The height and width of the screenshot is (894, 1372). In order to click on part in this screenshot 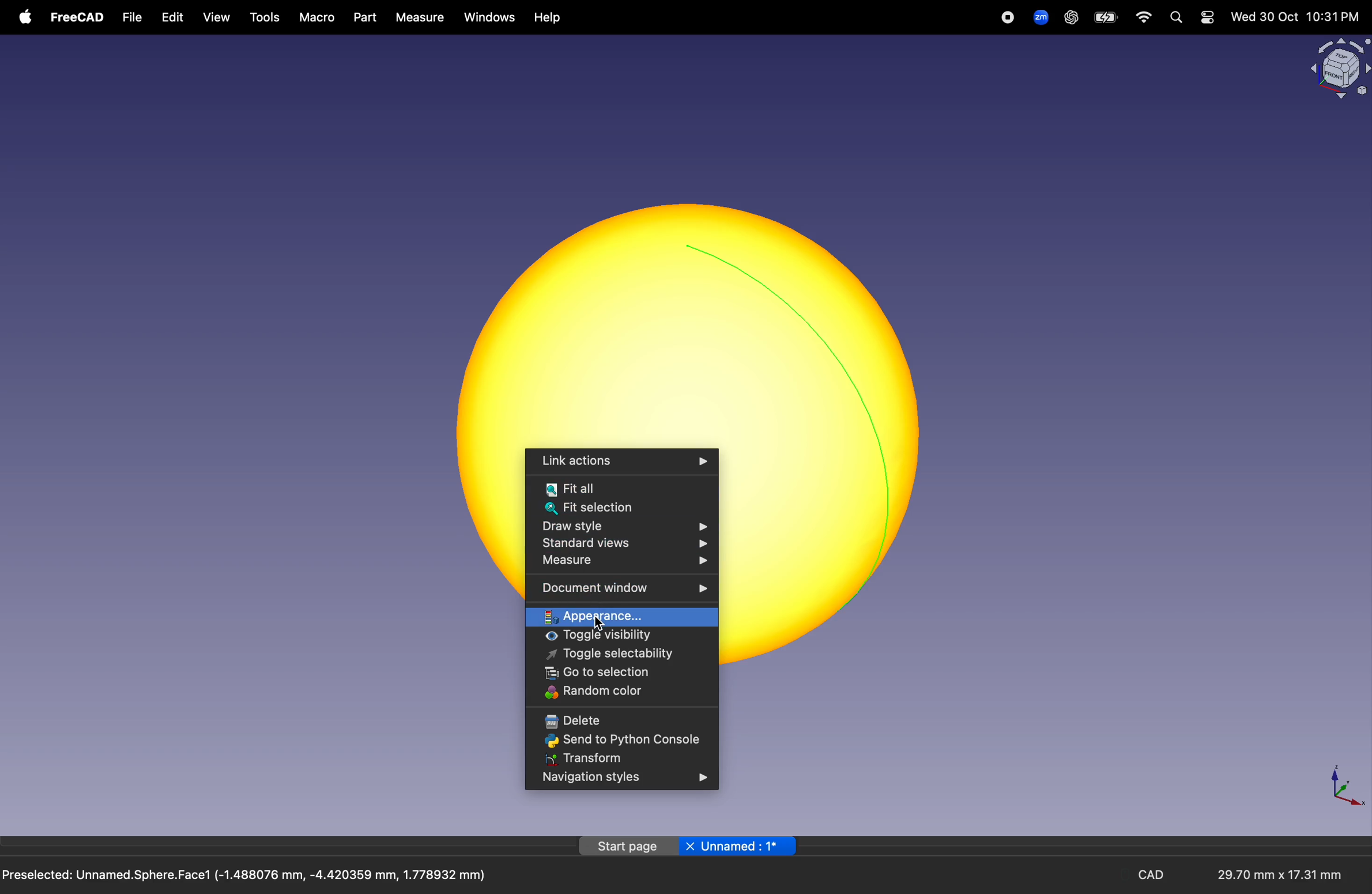, I will do `click(364, 17)`.